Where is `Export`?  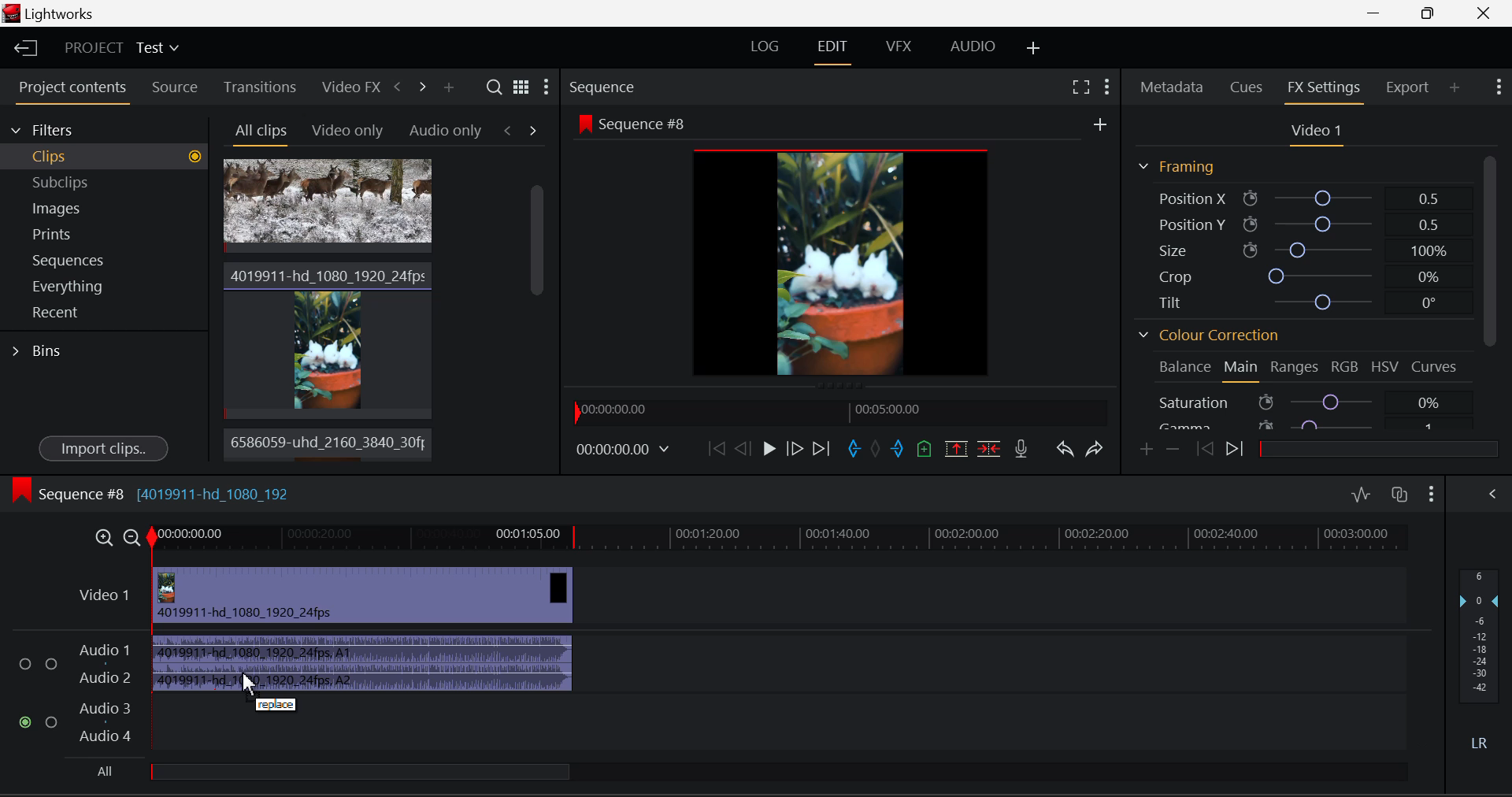 Export is located at coordinates (1406, 87).